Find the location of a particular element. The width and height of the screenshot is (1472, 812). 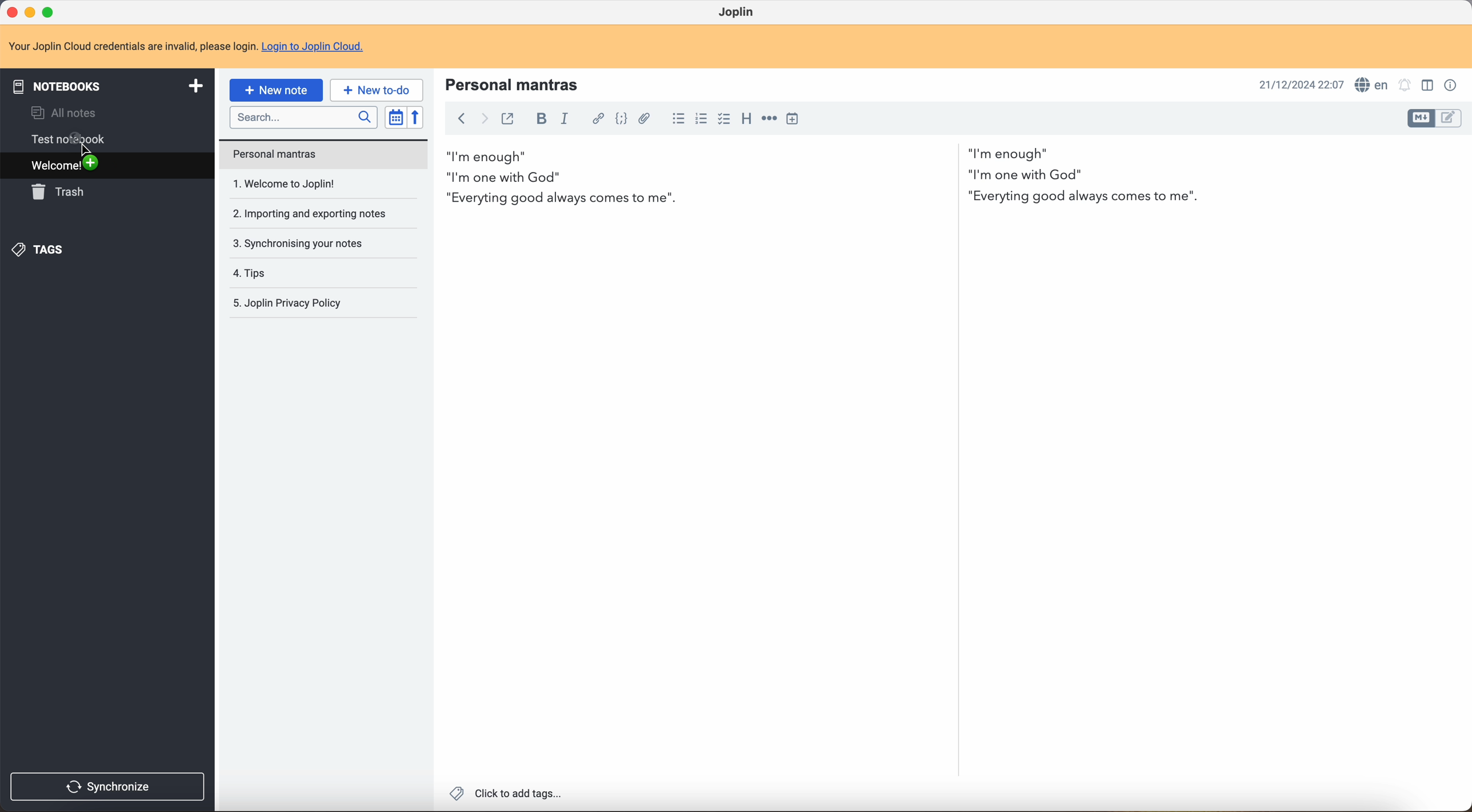

all notes is located at coordinates (69, 114).